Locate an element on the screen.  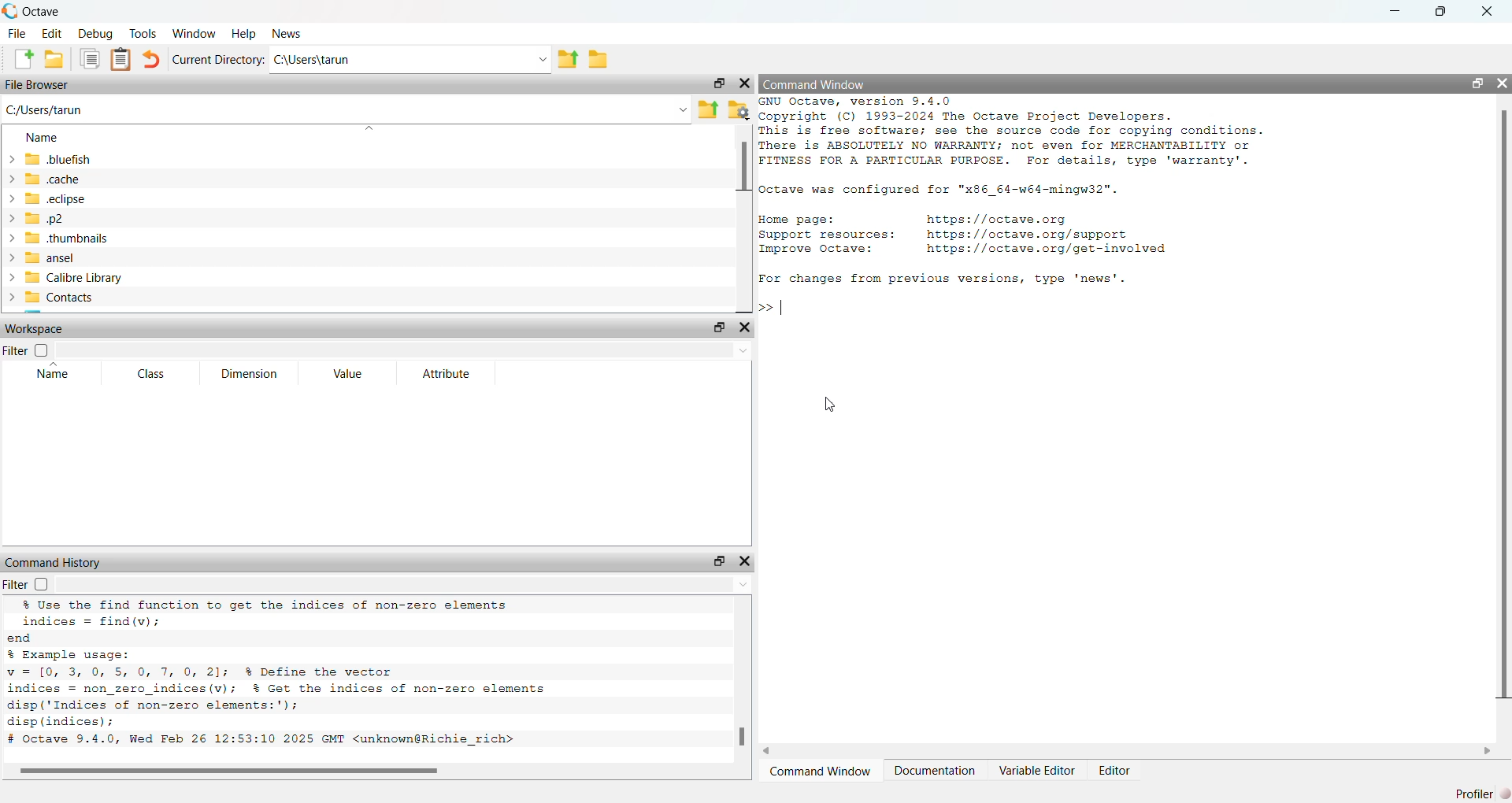
Current Directory: is located at coordinates (219, 58).